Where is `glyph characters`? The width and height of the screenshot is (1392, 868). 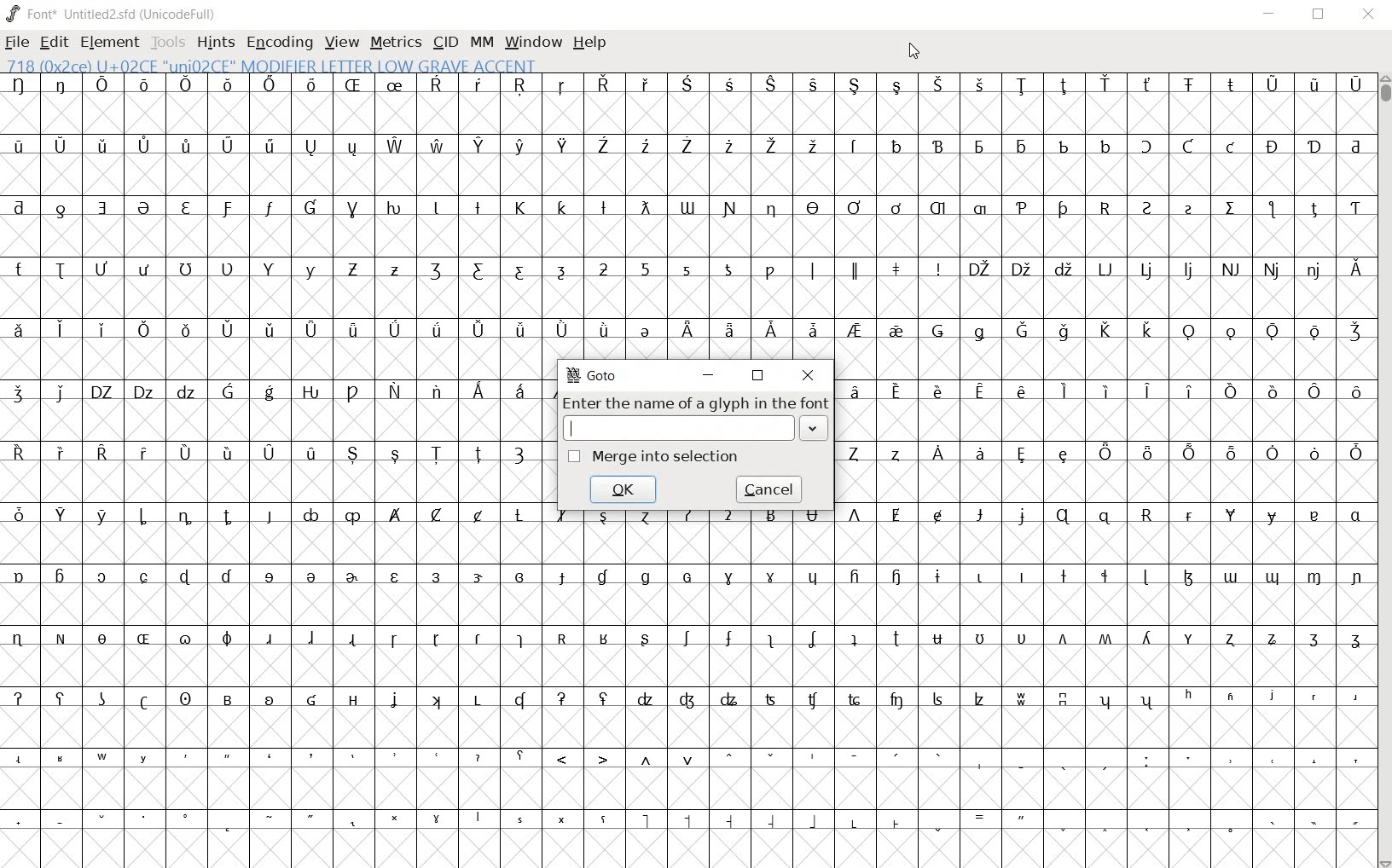
glyph characters is located at coordinates (962, 715).